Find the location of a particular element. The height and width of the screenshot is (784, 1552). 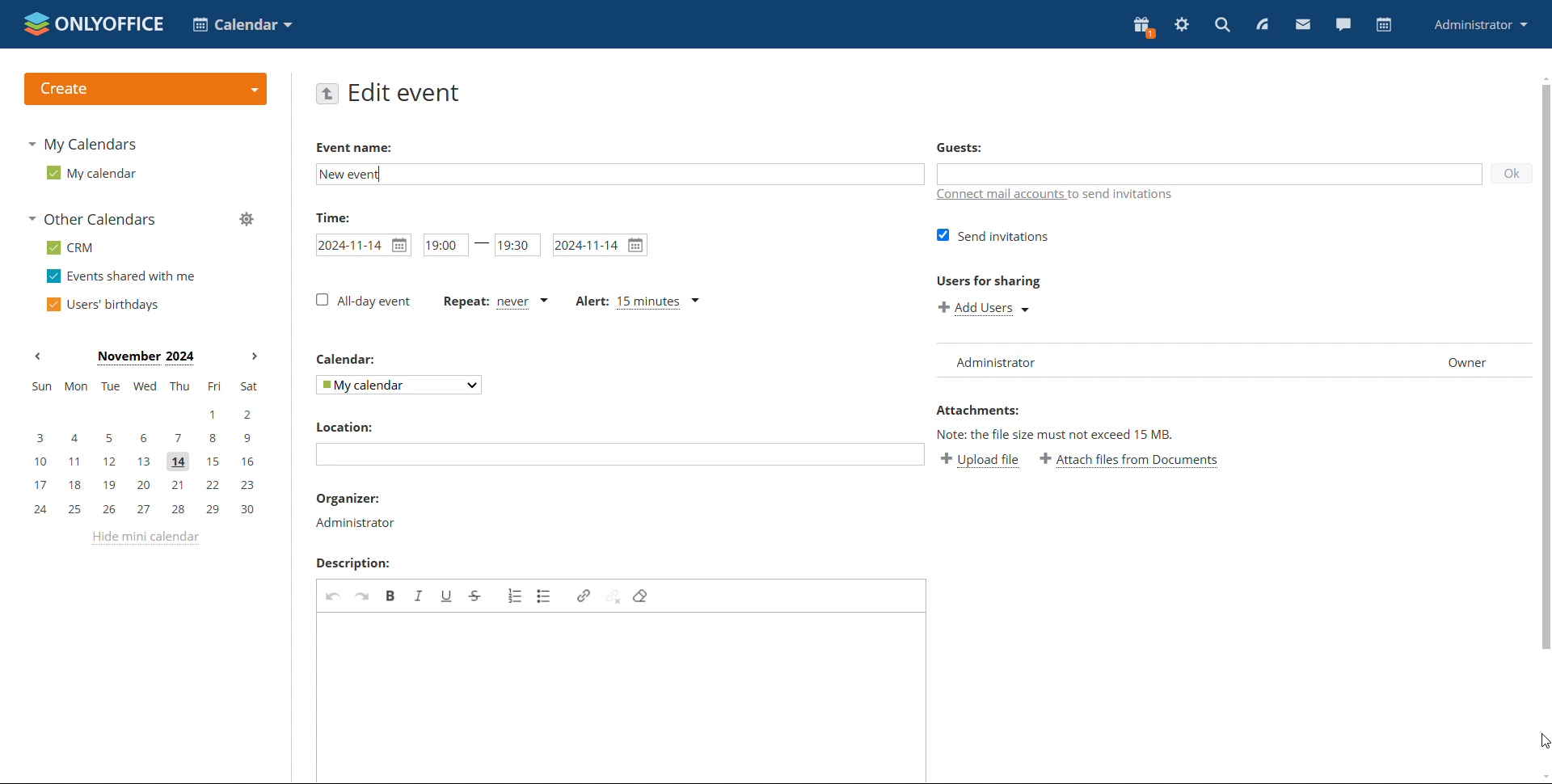

Description is located at coordinates (360, 564).